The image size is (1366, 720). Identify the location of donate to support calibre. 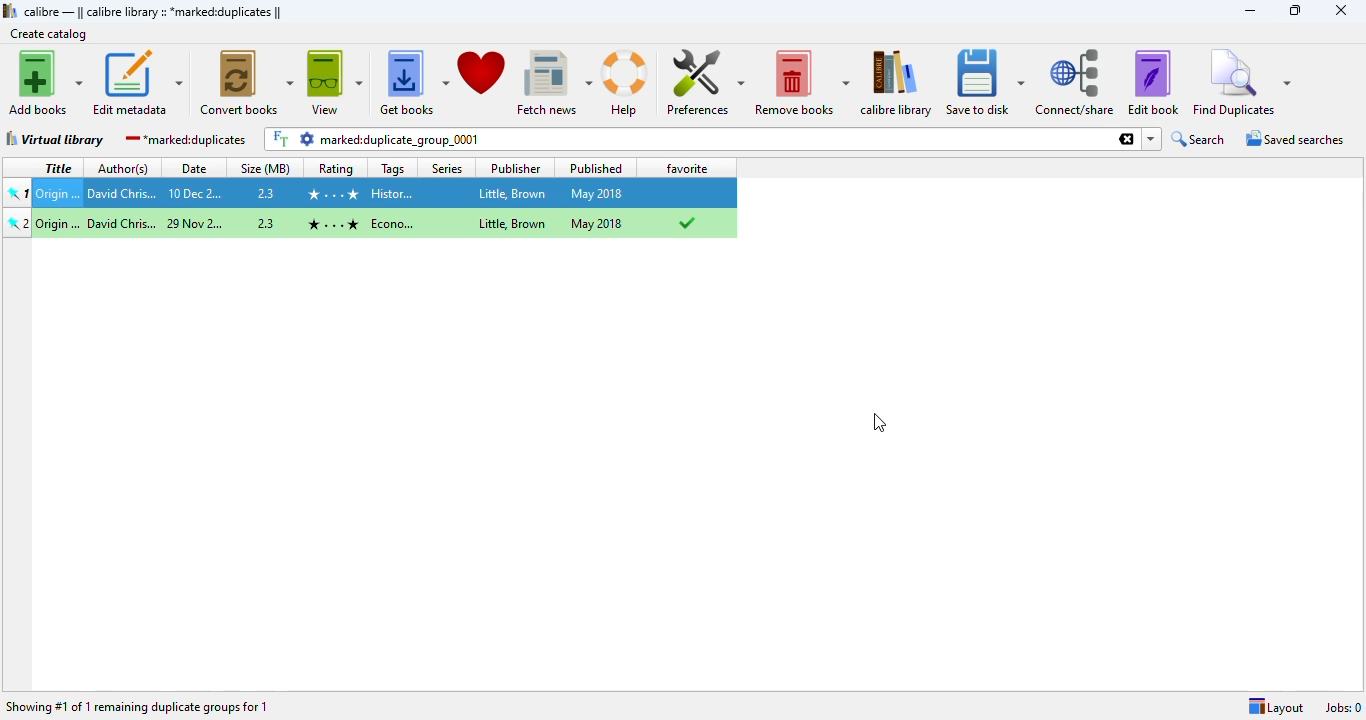
(482, 73).